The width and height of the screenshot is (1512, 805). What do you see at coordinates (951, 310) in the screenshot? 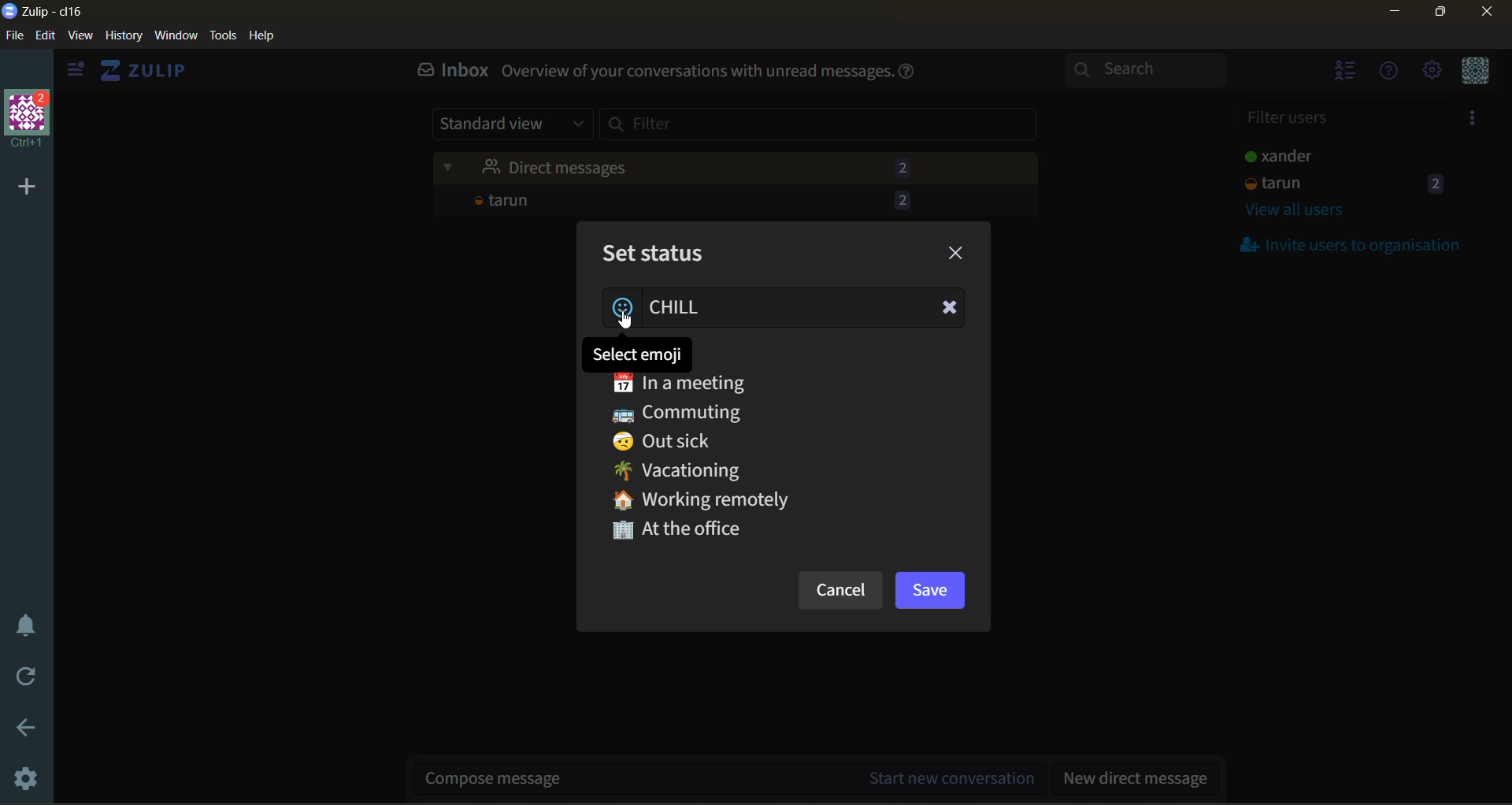
I see `Clear` at bounding box center [951, 310].